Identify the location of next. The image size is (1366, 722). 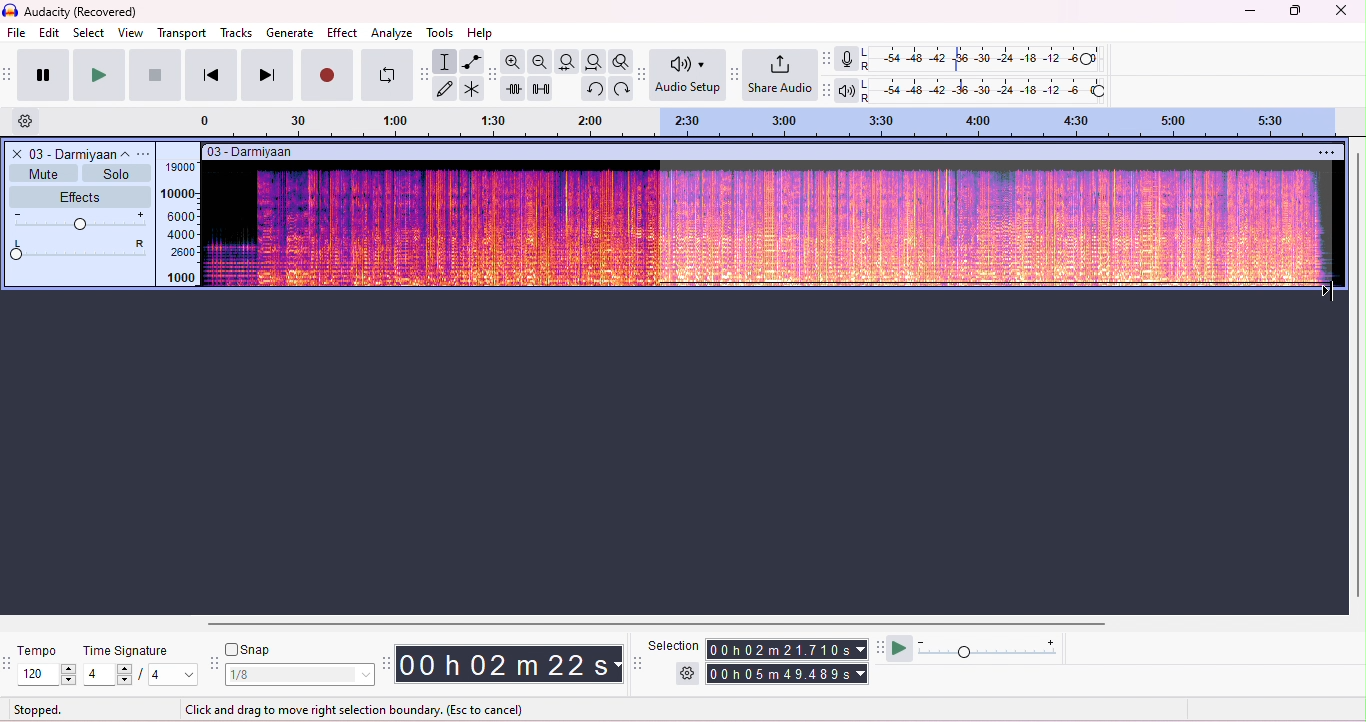
(266, 75).